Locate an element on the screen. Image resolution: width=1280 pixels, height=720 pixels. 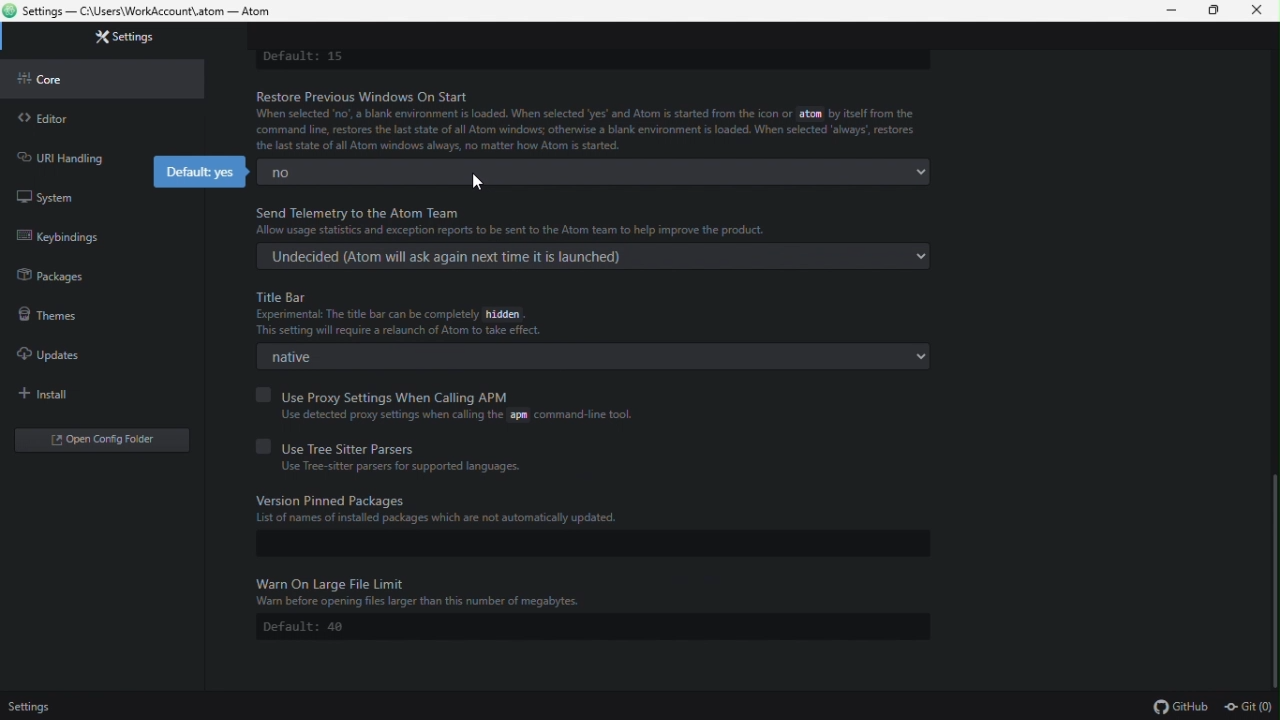
settings is located at coordinates (30, 708).